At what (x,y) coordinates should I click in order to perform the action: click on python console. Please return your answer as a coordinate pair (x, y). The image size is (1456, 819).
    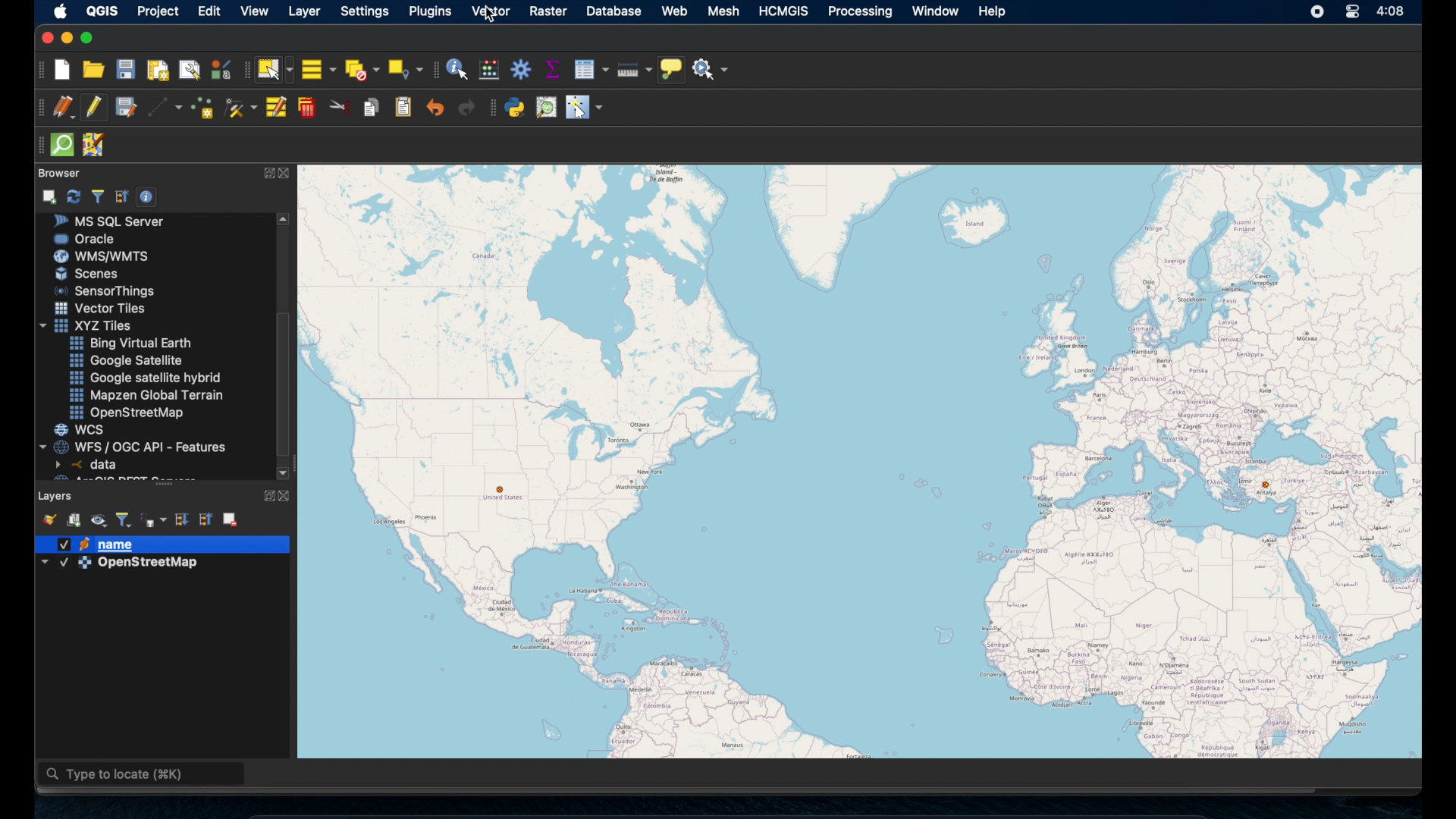
    Looking at the image, I should click on (516, 108).